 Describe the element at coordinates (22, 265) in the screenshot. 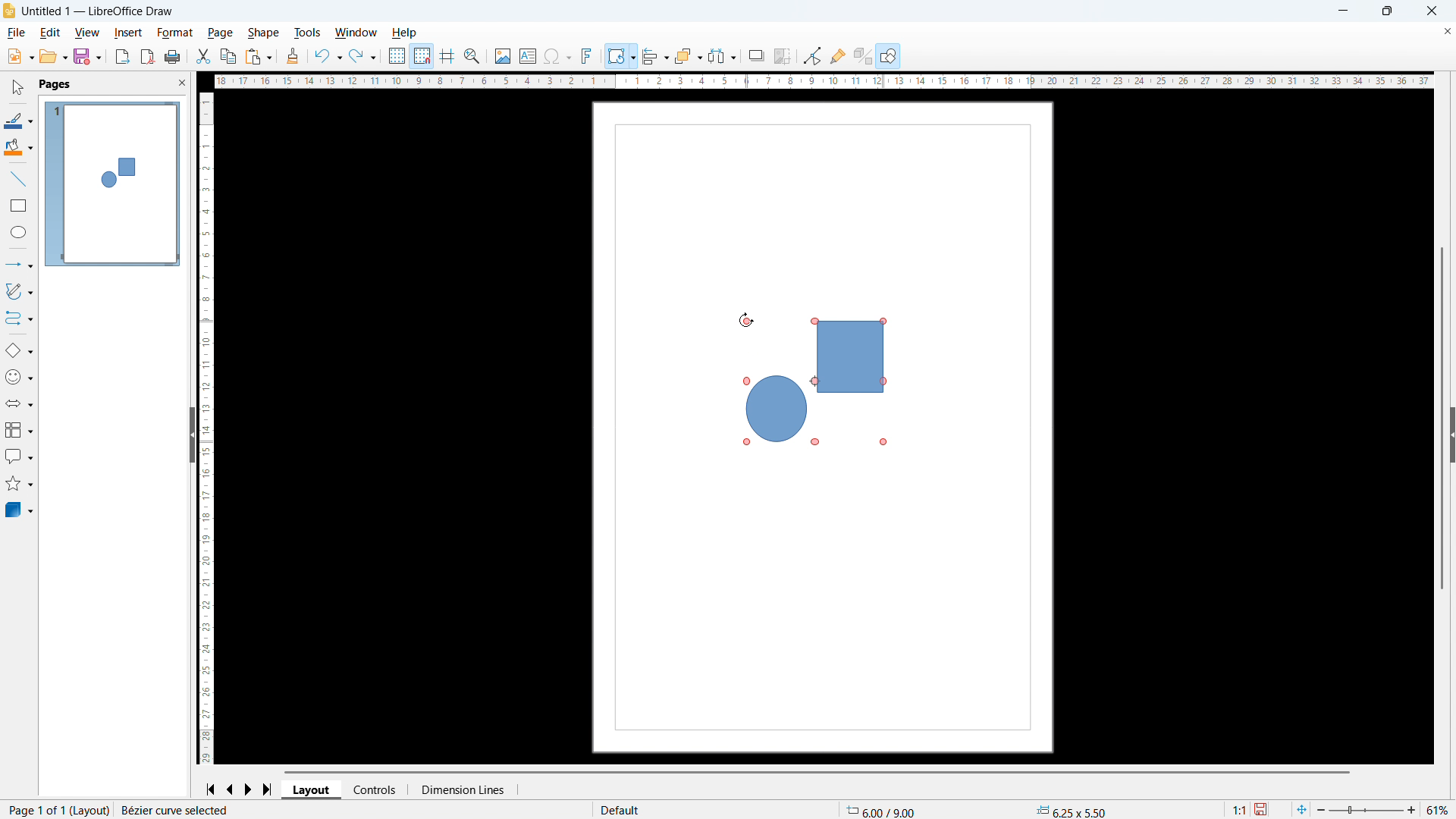

I see `Lines and arrows ` at that location.